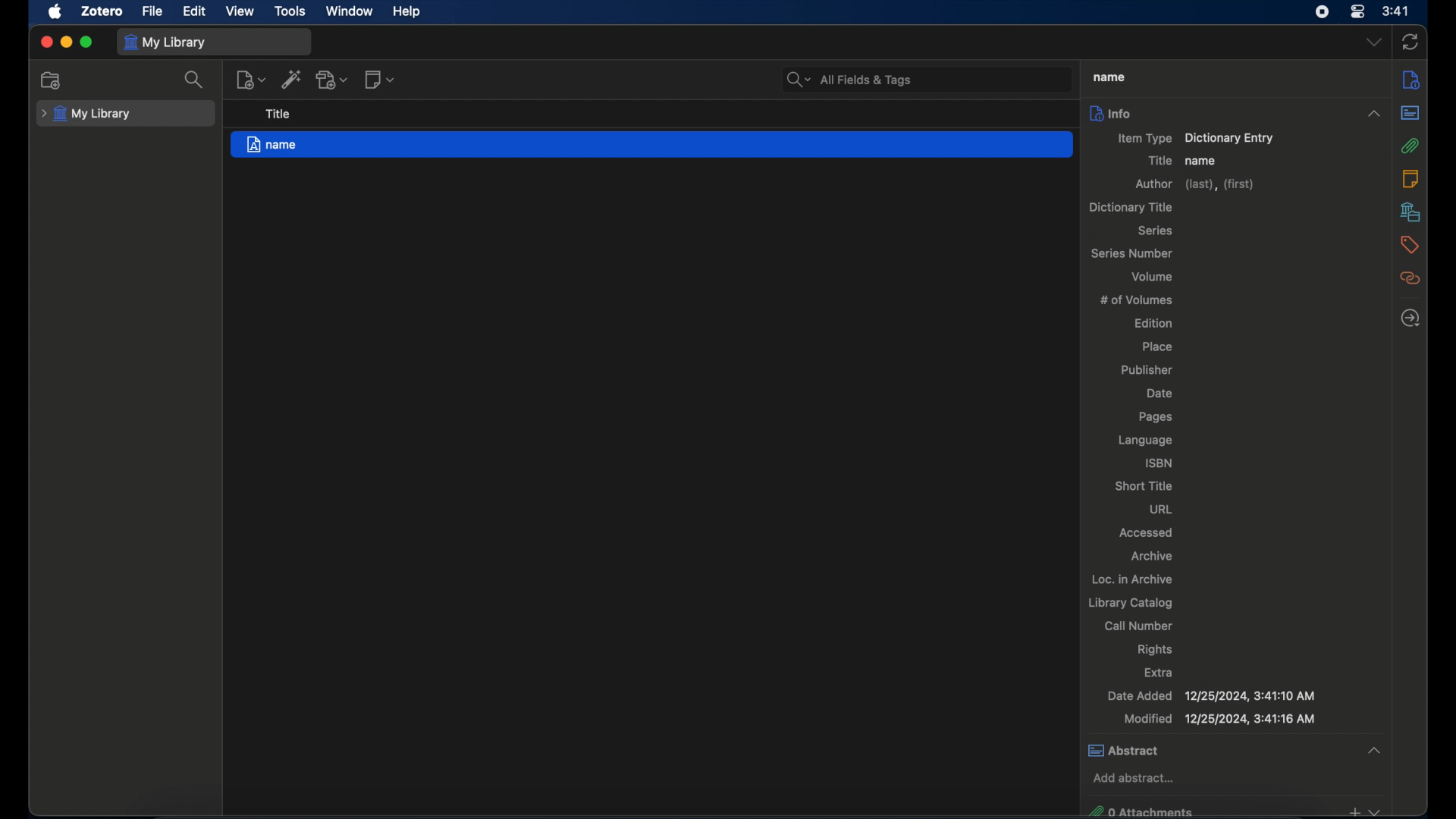  I want to click on publisher, so click(1147, 371).